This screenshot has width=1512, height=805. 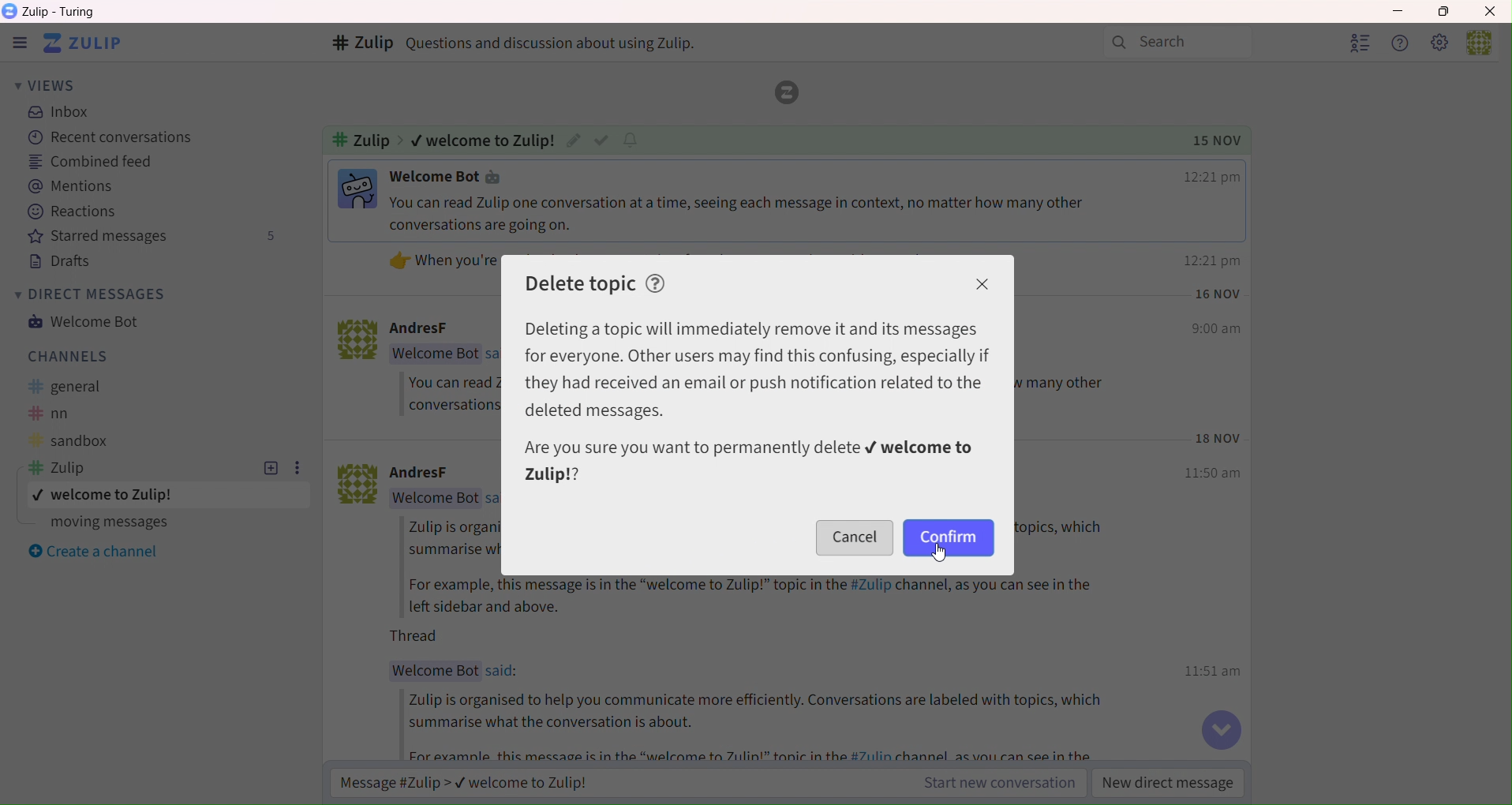 What do you see at coordinates (940, 552) in the screenshot?
I see `Cursor` at bounding box center [940, 552].